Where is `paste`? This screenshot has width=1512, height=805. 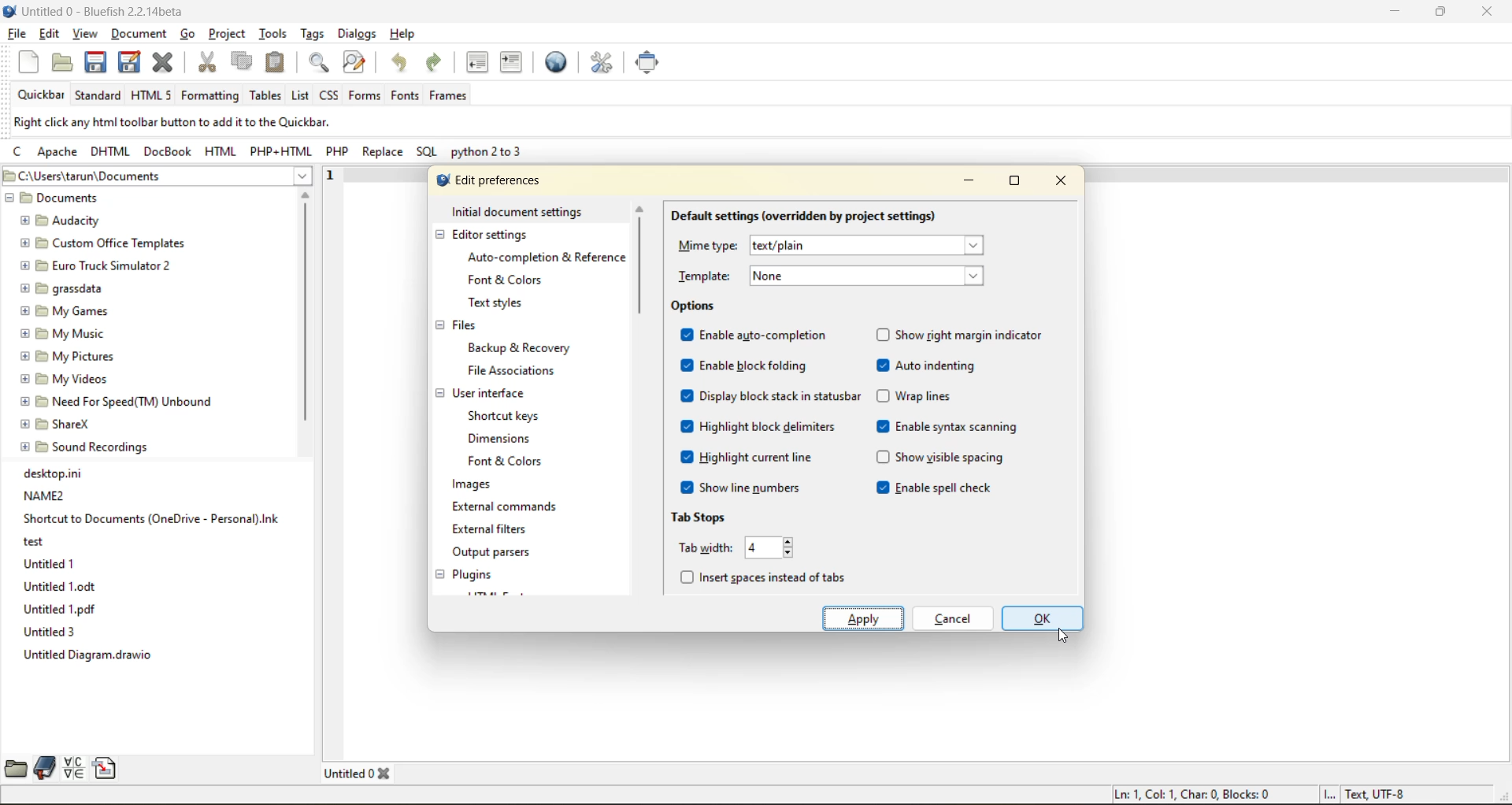 paste is located at coordinates (277, 62).